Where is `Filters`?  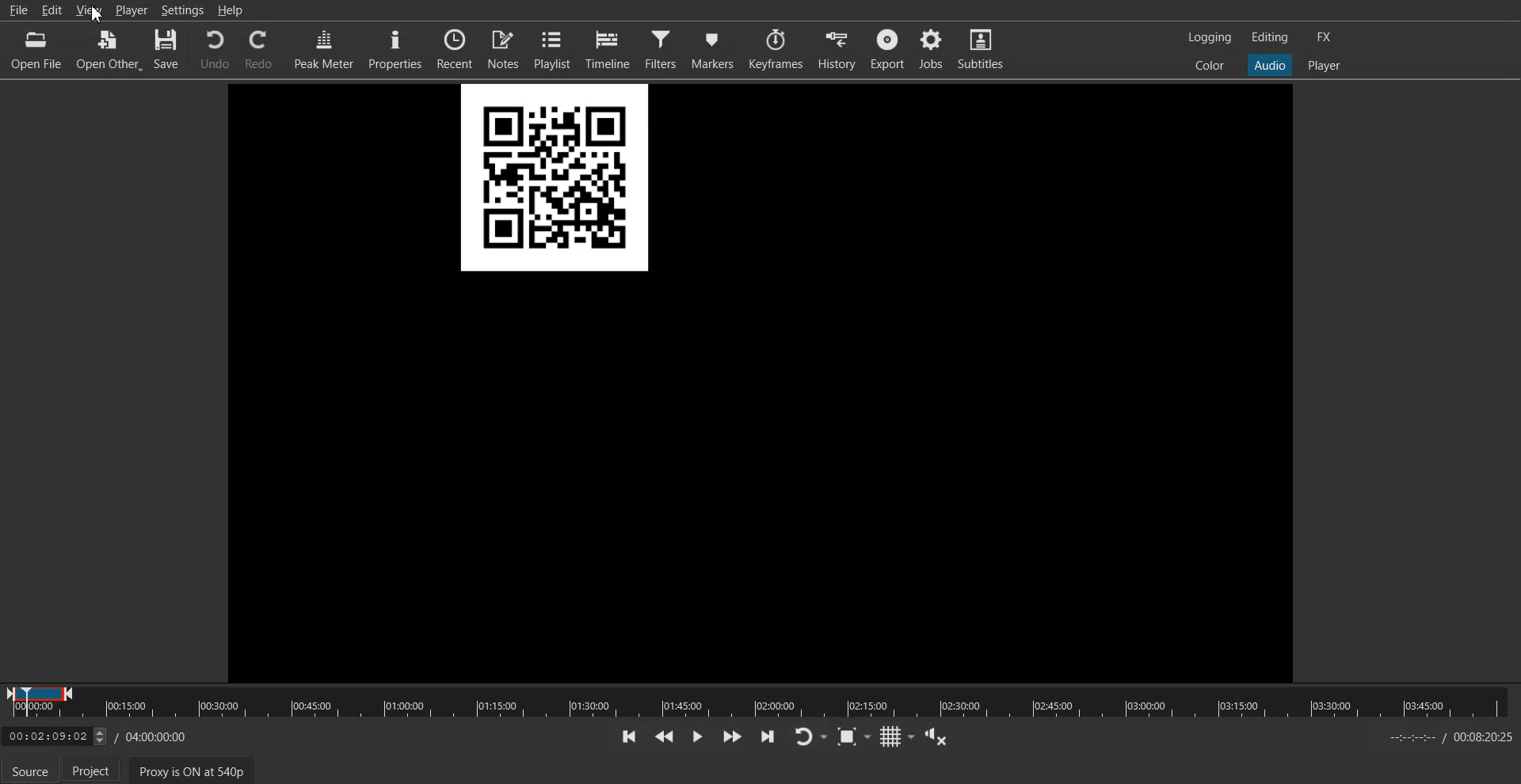
Filters is located at coordinates (661, 48).